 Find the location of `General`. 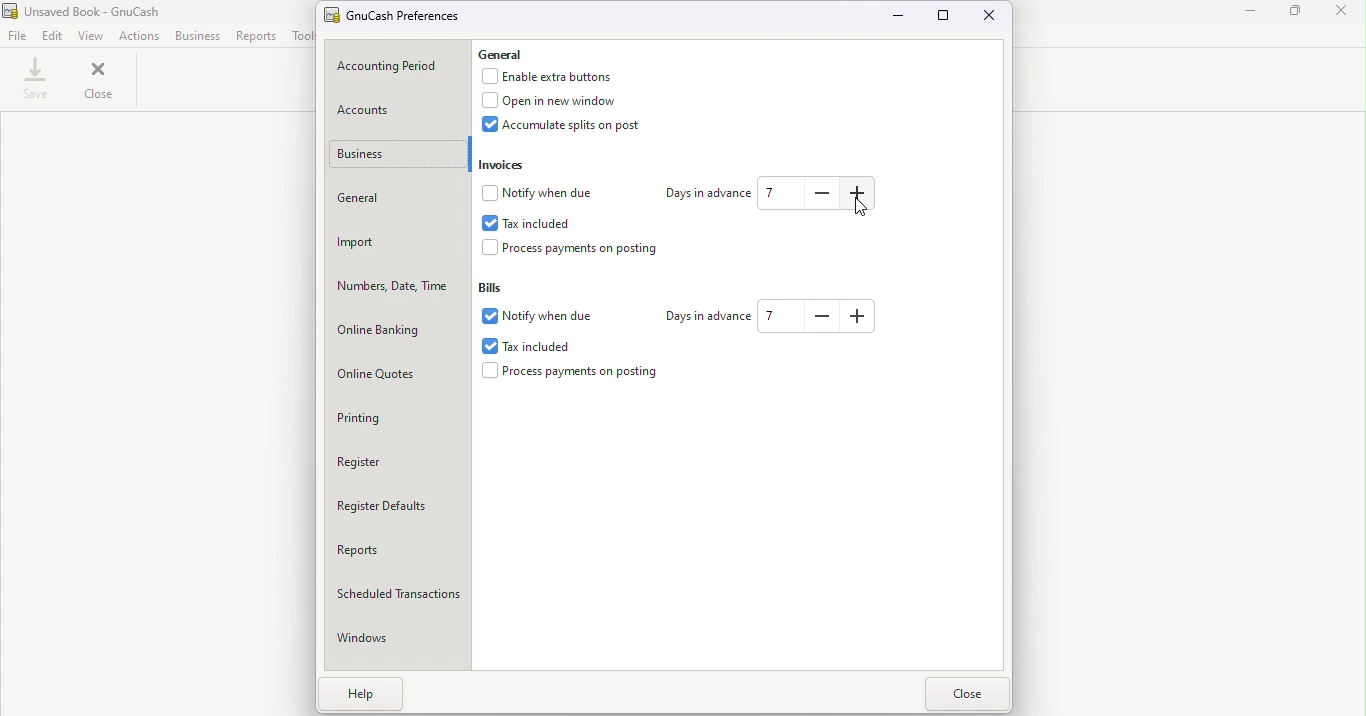

General is located at coordinates (391, 200).